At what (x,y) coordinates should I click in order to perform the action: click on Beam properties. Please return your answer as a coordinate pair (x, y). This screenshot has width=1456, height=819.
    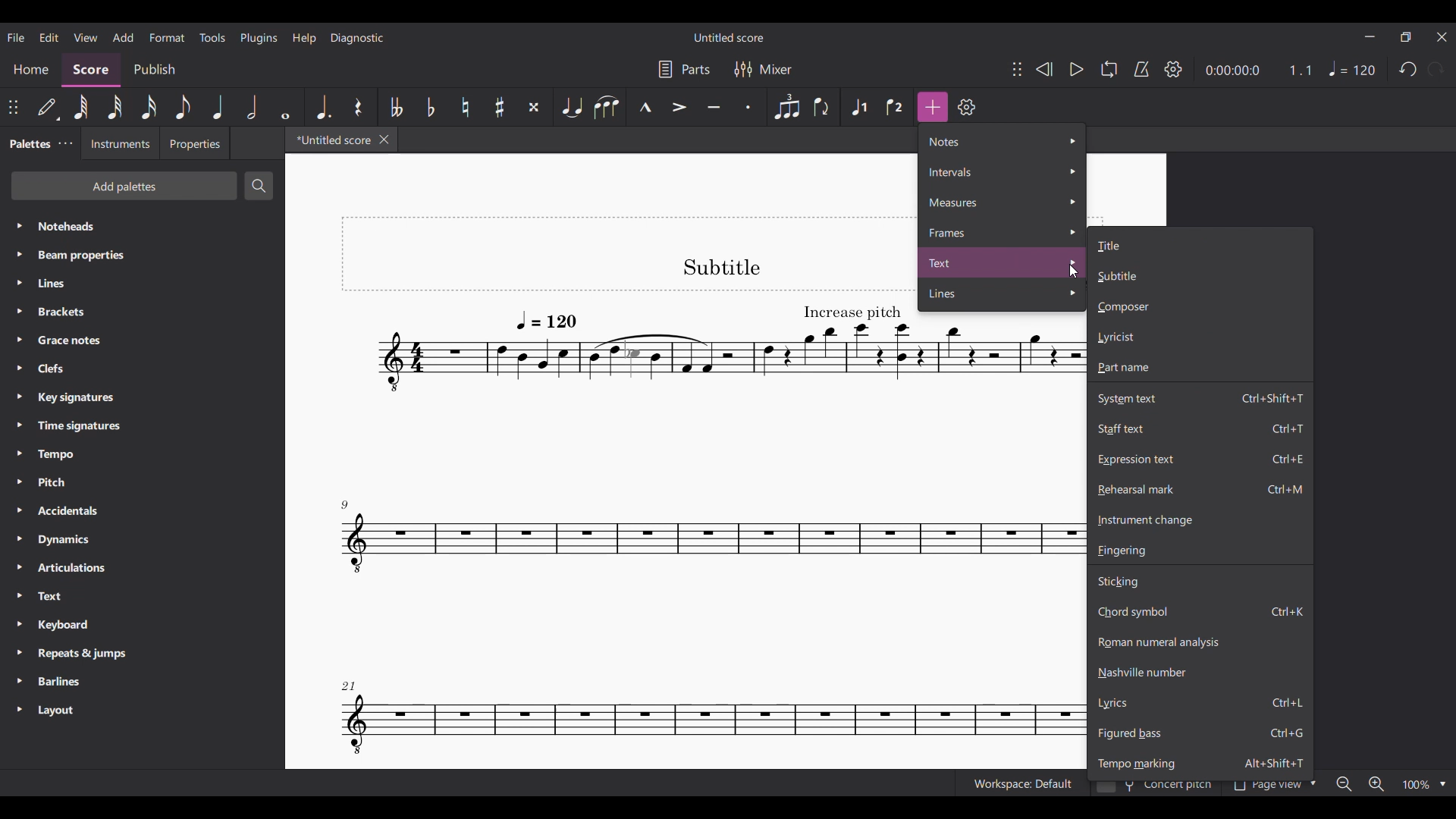
    Looking at the image, I should click on (142, 255).